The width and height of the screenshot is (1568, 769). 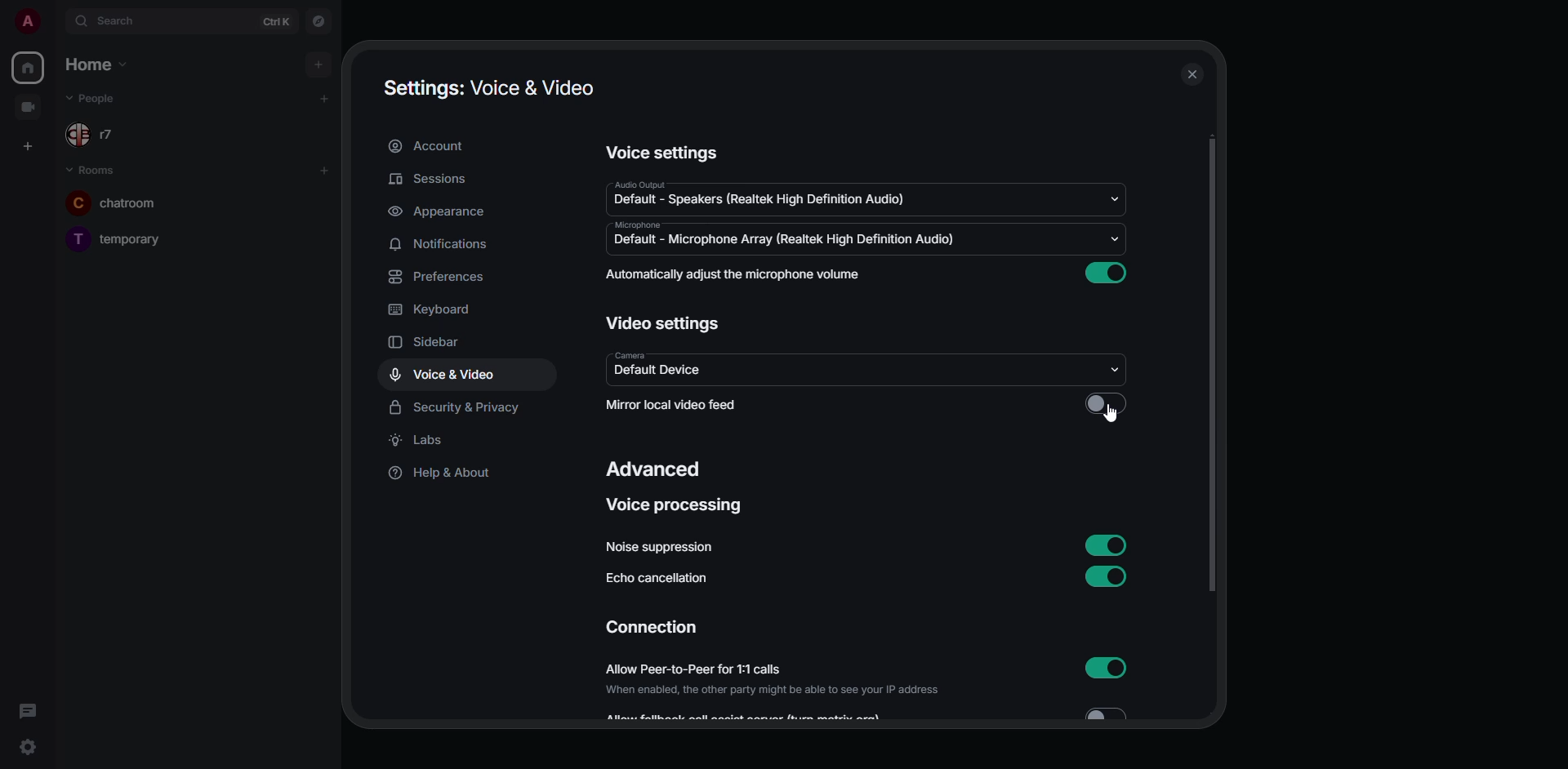 I want to click on default, so click(x=785, y=244).